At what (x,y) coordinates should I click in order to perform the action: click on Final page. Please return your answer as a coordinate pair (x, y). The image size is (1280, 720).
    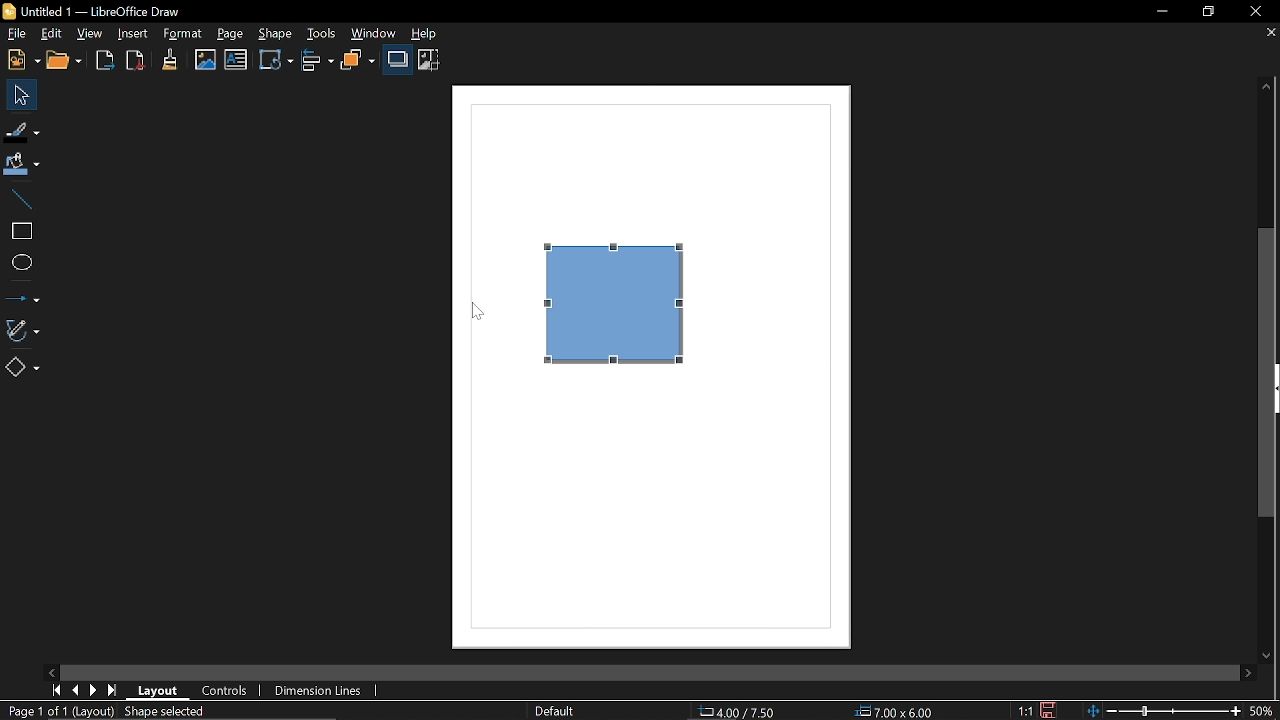
    Looking at the image, I should click on (114, 691).